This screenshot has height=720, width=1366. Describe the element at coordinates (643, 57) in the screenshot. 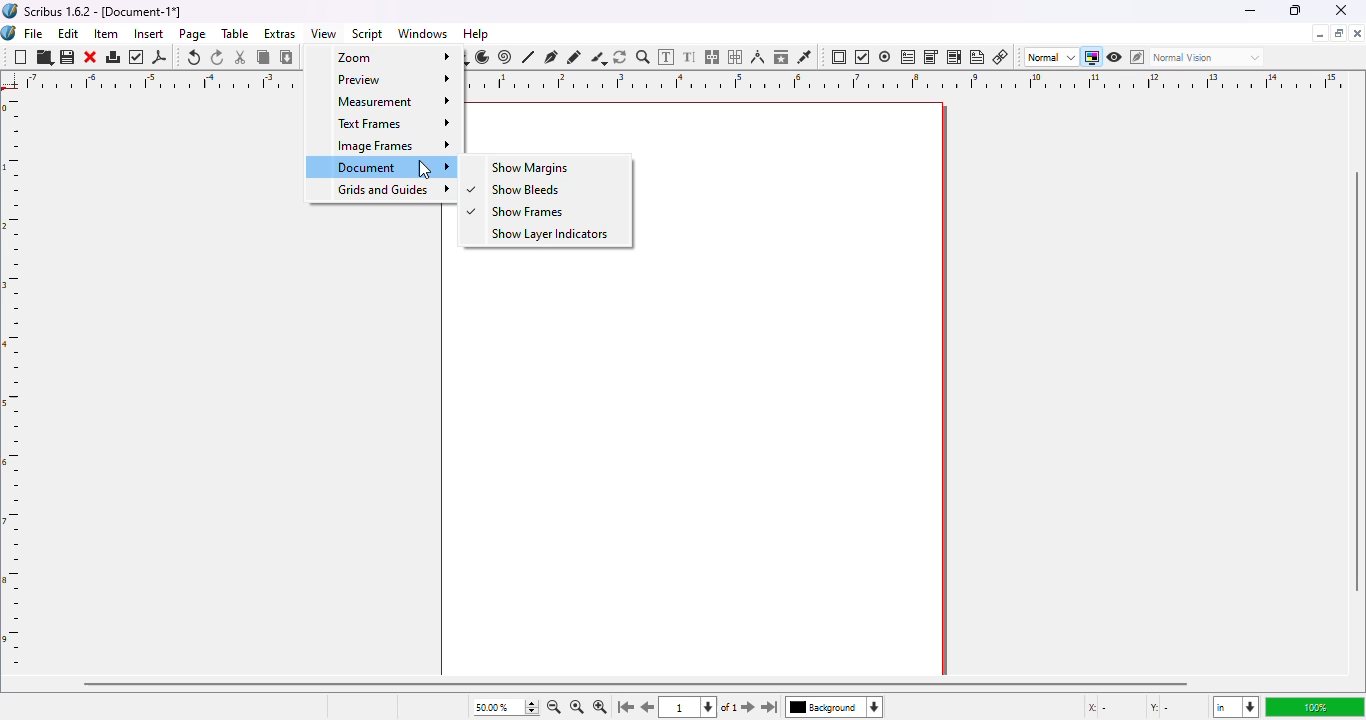

I see `zoom in or out` at that location.